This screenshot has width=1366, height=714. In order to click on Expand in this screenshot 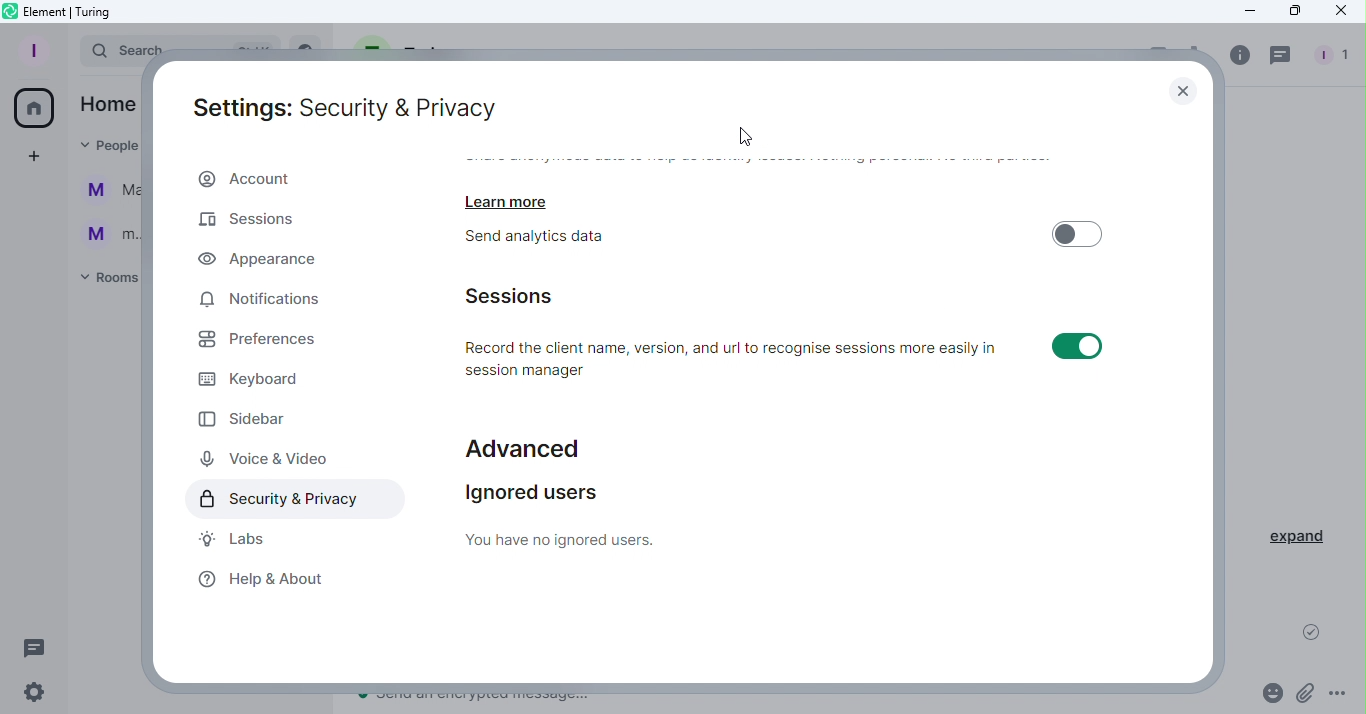, I will do `click(1298, 537)`.